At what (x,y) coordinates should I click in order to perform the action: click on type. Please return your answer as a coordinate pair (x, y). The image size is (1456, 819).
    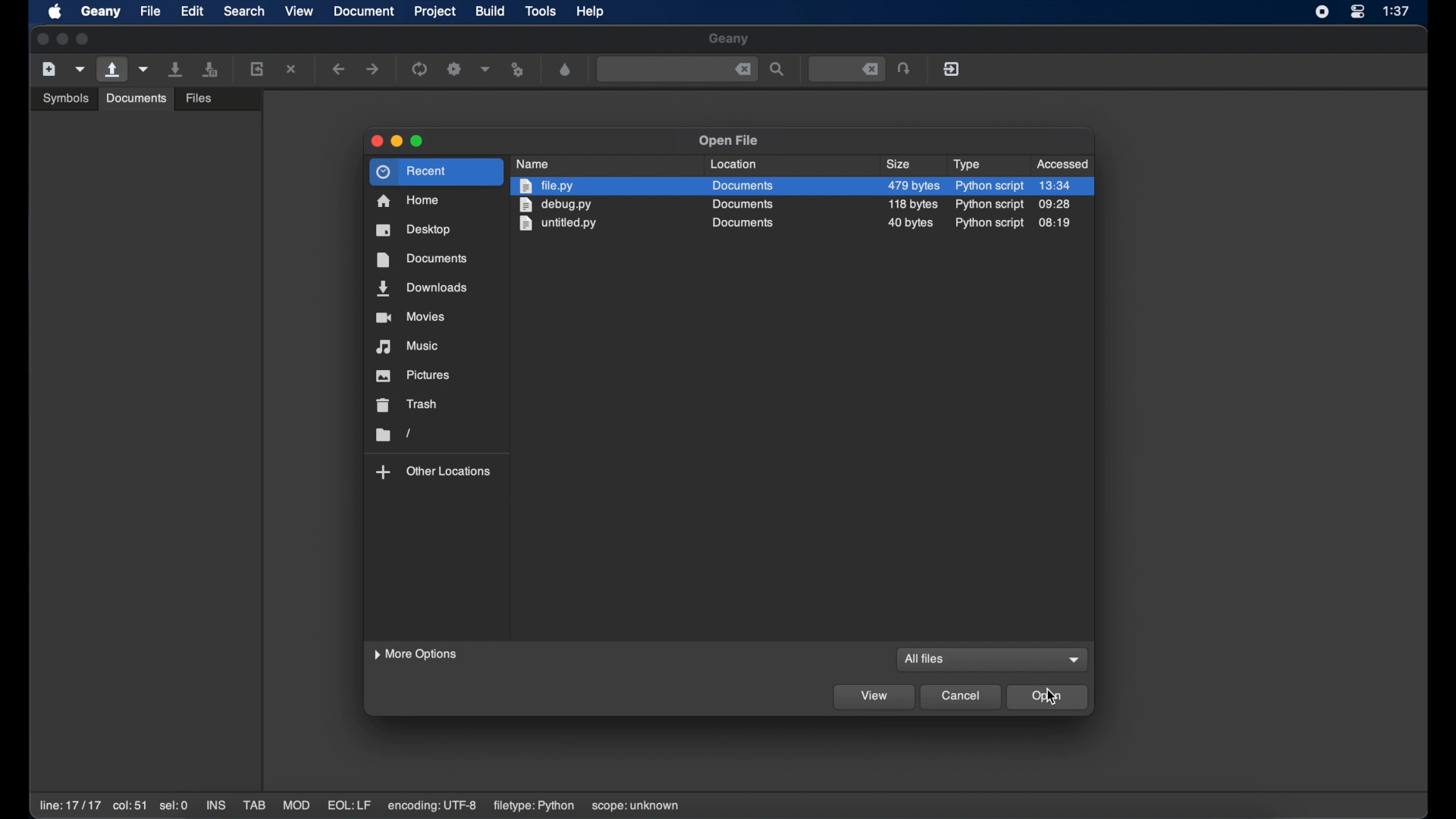
    Looking at the image, I should click on (966, 165).